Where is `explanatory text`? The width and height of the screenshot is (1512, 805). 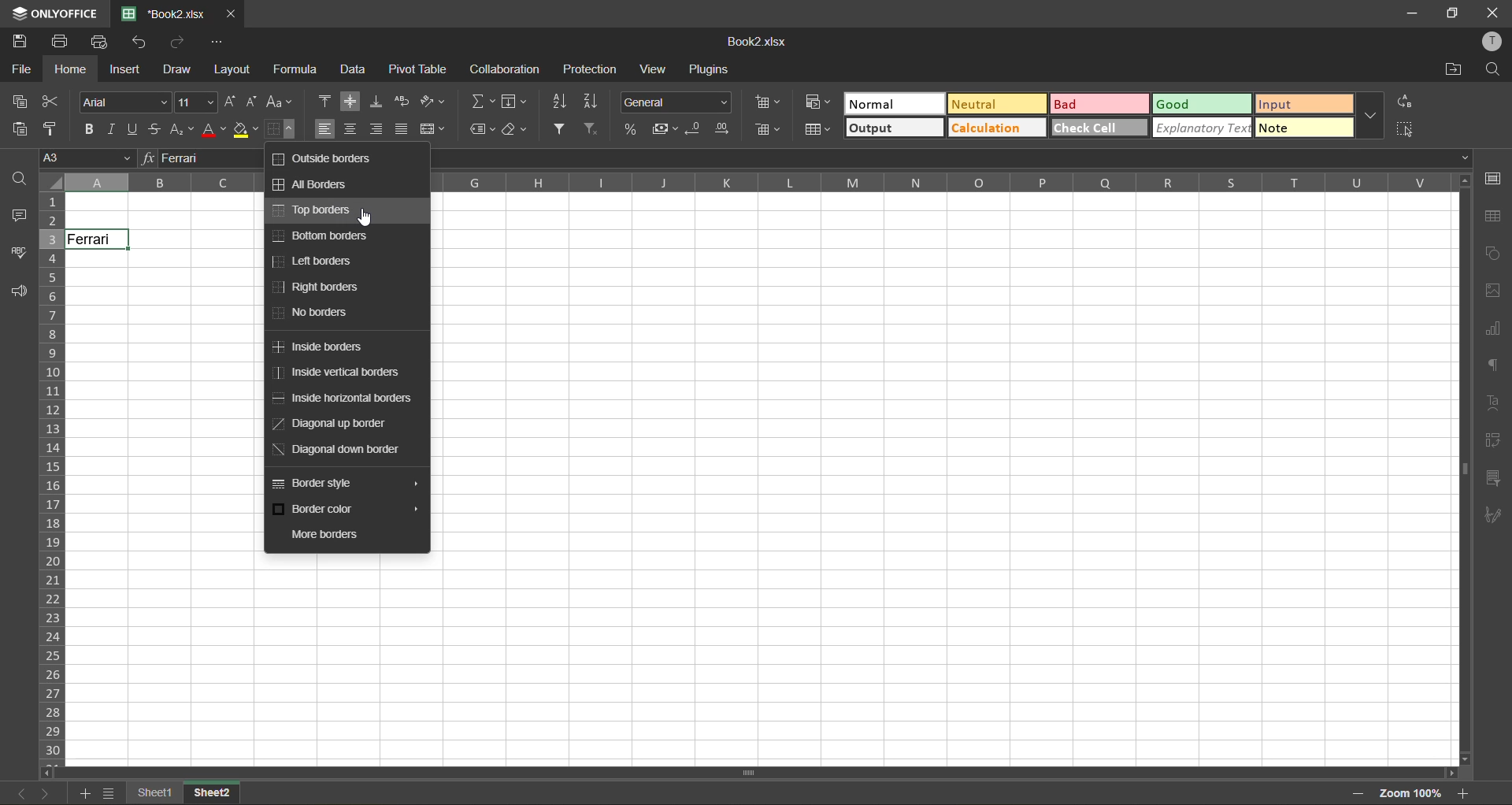
explanatory text is located at coordinates (1202, 128).